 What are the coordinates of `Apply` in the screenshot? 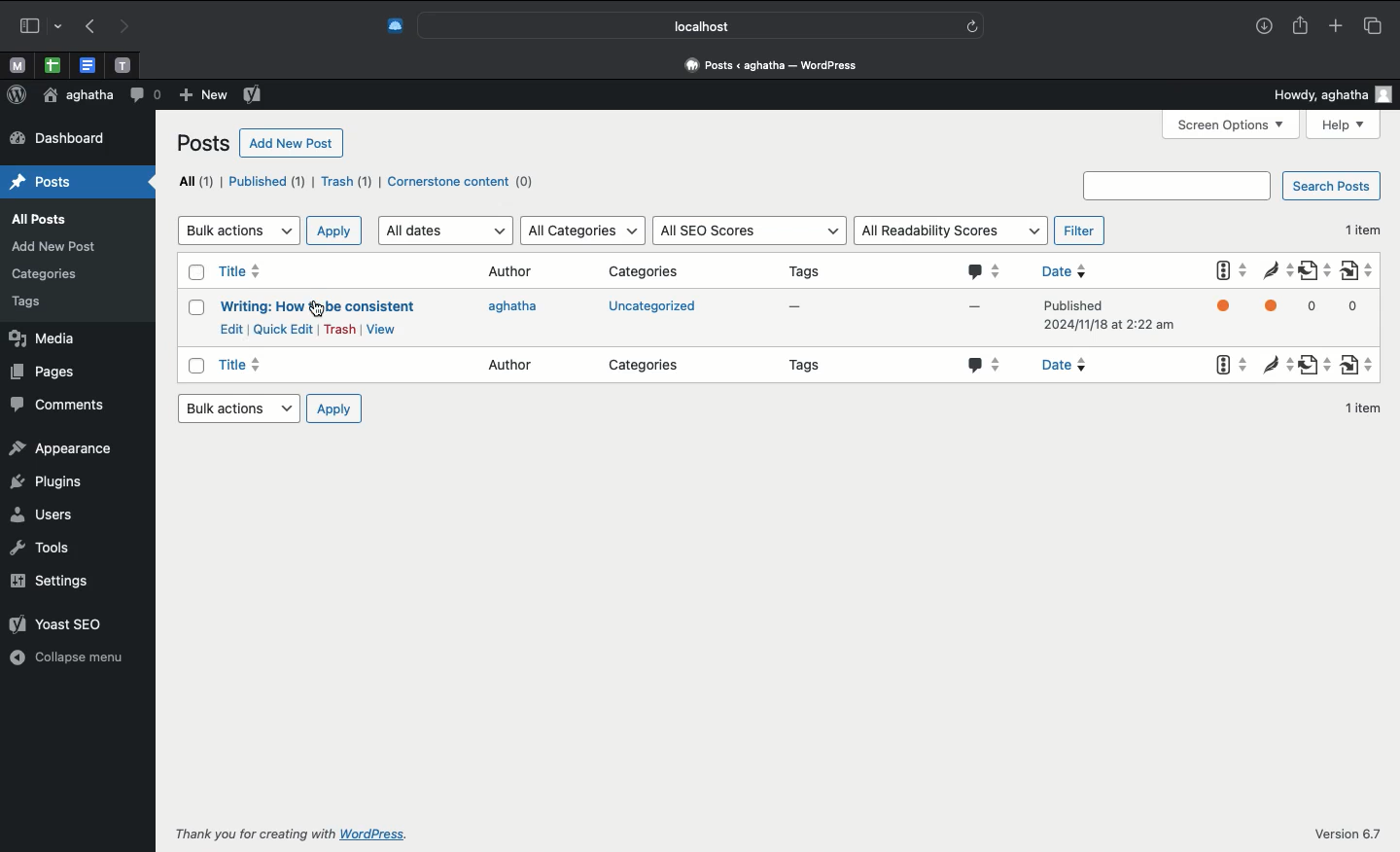 It's located at (332, 231).